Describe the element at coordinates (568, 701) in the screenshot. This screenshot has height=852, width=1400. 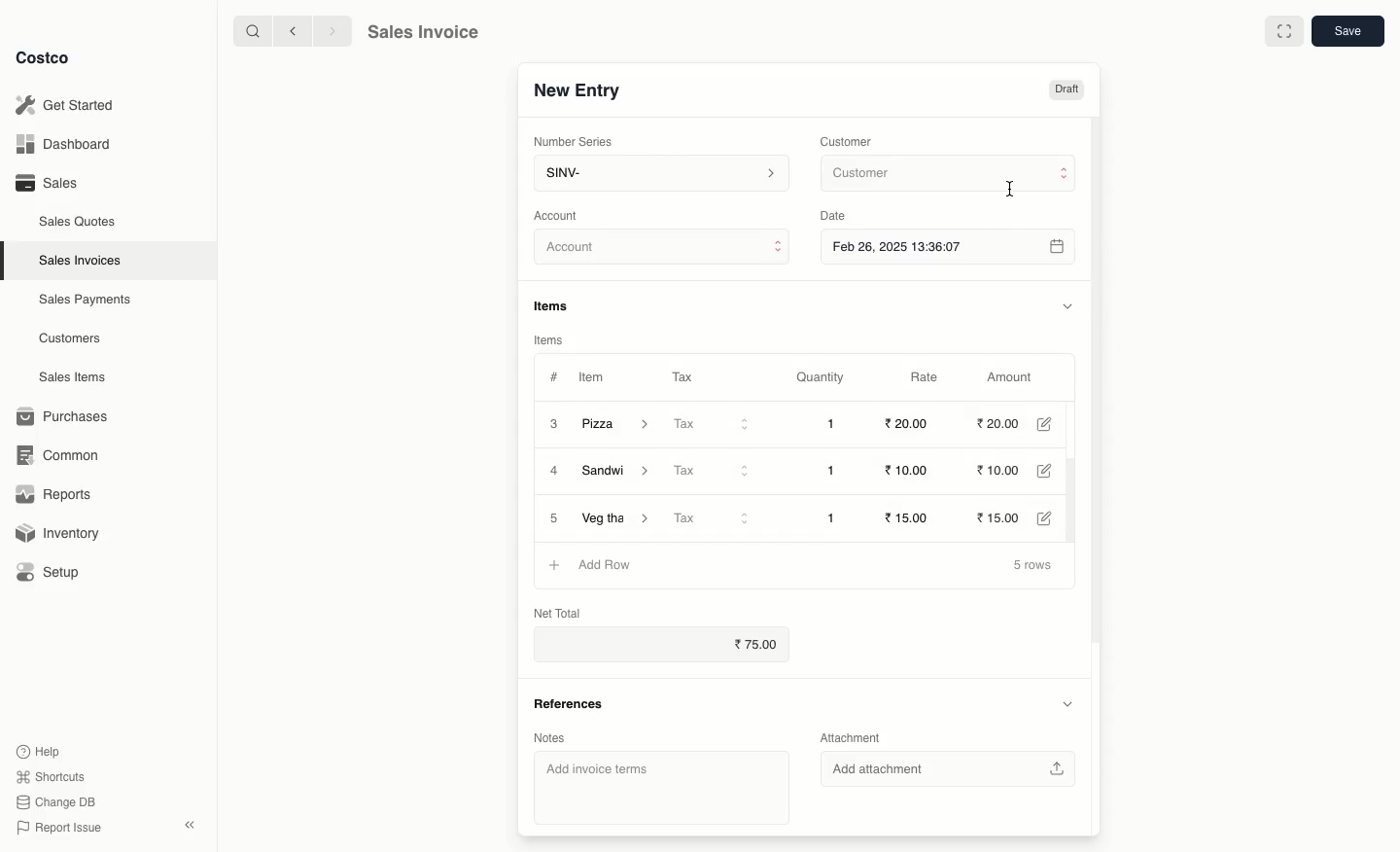
I see `References` at that location.